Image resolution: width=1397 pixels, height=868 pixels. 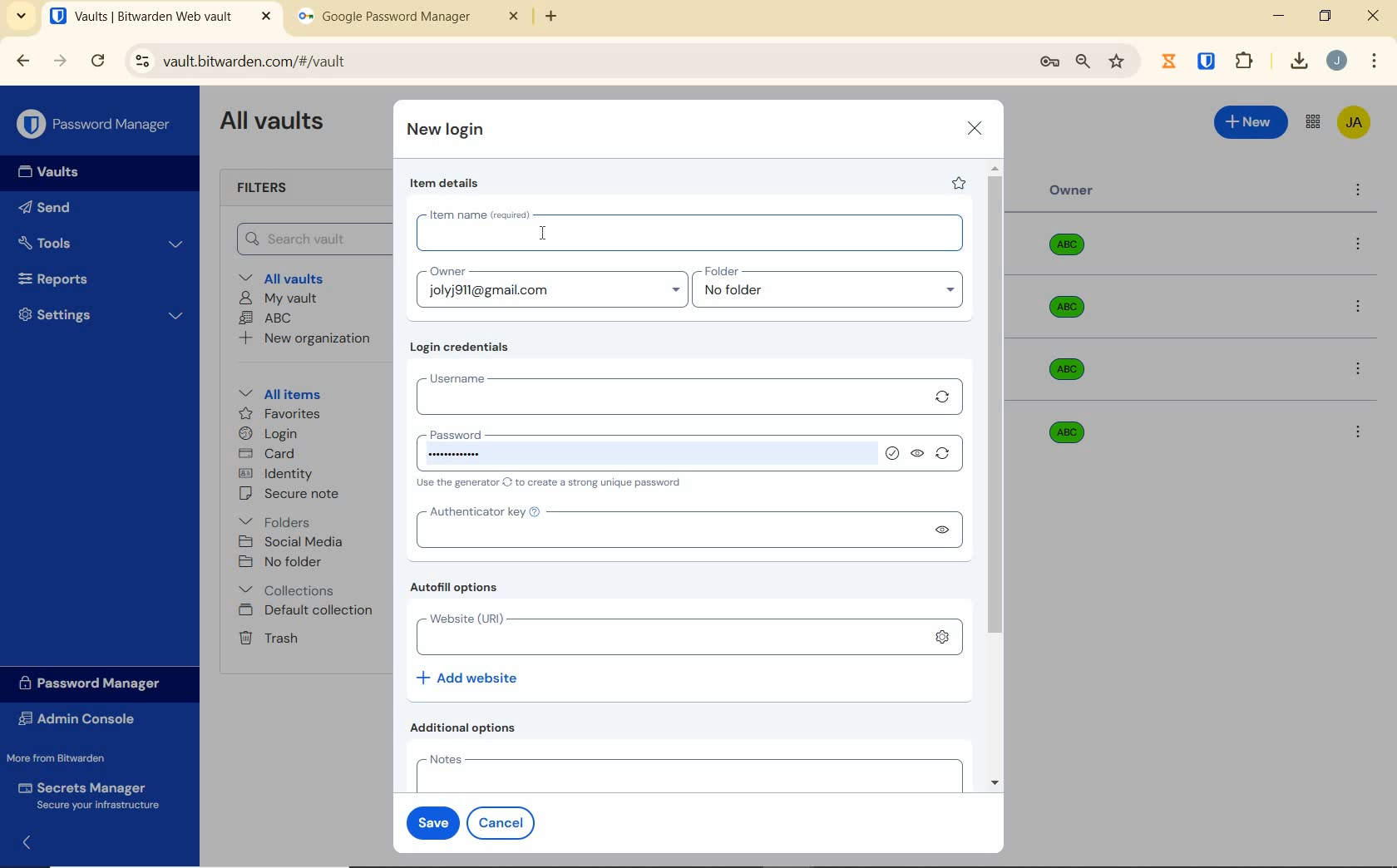 What do you see at coordinates (21, 18) in the screenshot?
I see `search tabs` at bounding box center [21, 18].